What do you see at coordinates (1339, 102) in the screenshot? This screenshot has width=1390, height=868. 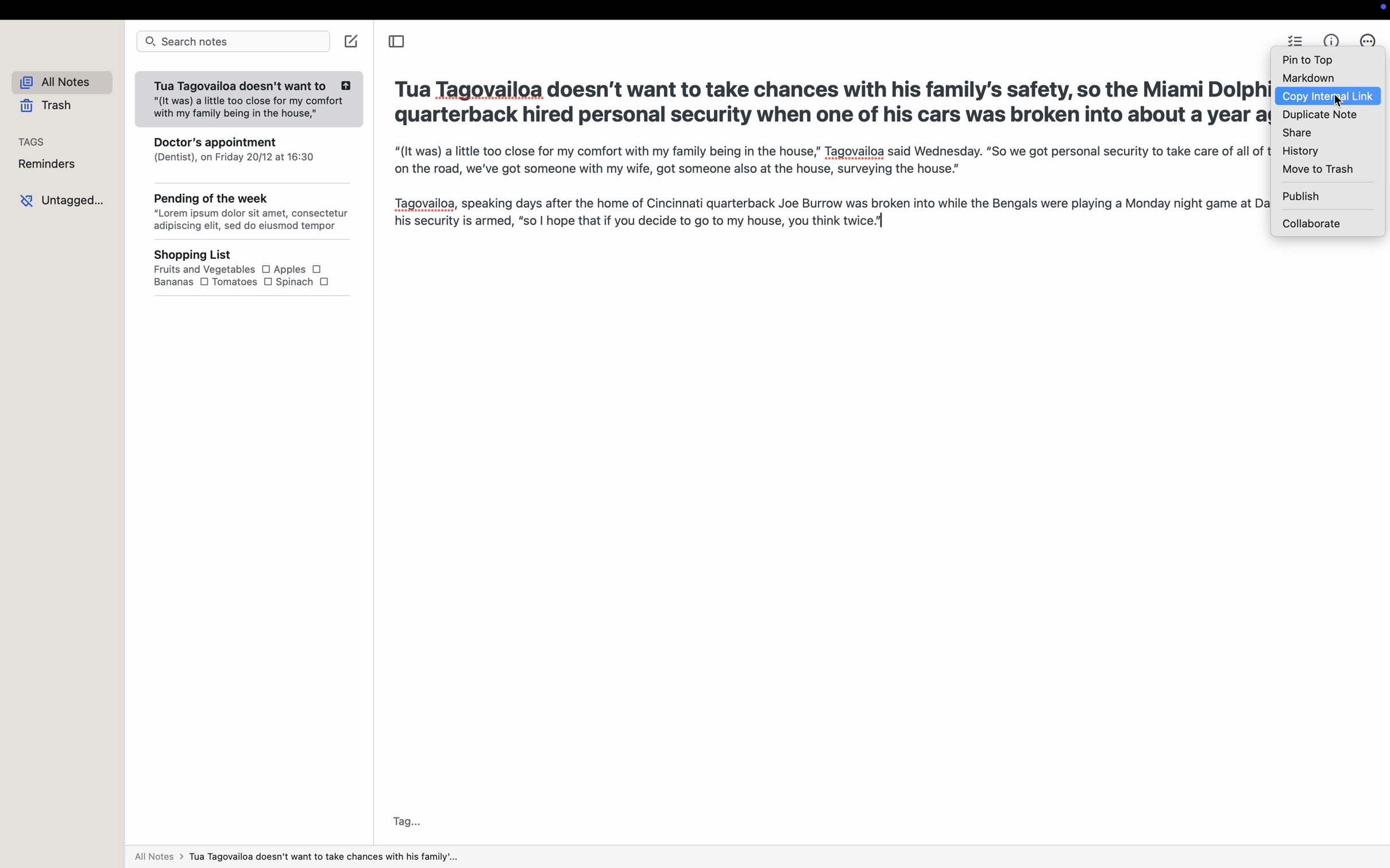 I see `cursor` at bounding box center [1339, 102].